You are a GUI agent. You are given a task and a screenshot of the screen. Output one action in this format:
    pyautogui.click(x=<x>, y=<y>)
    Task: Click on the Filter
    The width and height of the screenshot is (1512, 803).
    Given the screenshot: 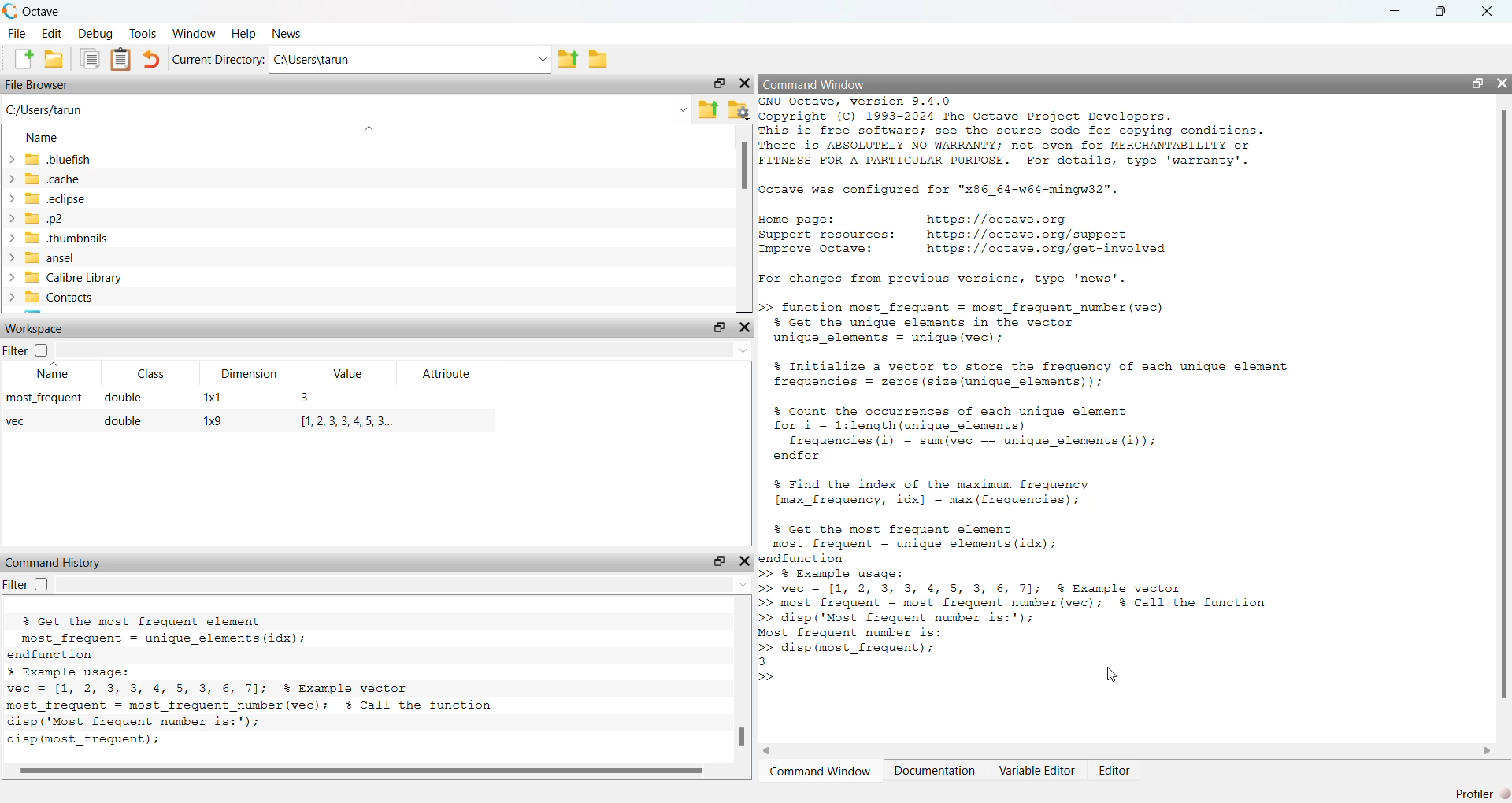 What is the action you would take?
    pyautogui.click(x=27, y=350)
    